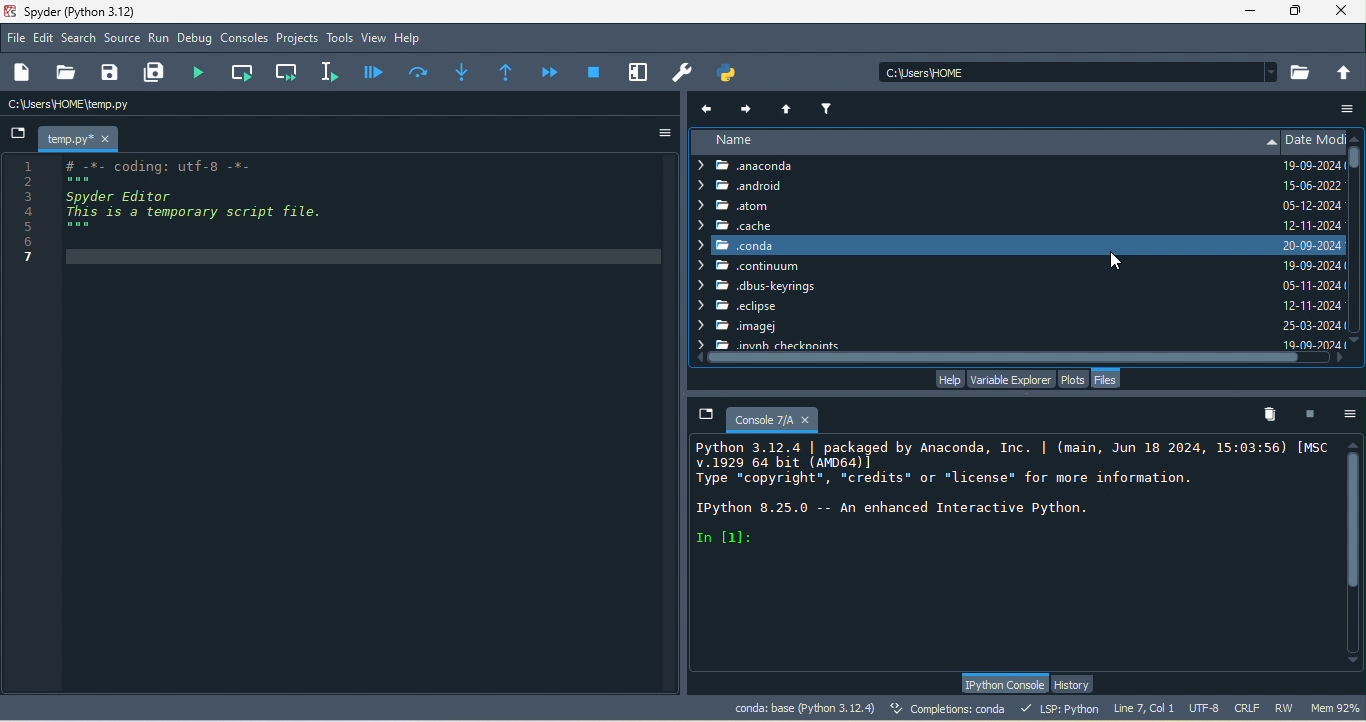  What do you see at coordinates (1349, 108) in the screenshot?
I see `more option` at bounding box center [1349, 108].